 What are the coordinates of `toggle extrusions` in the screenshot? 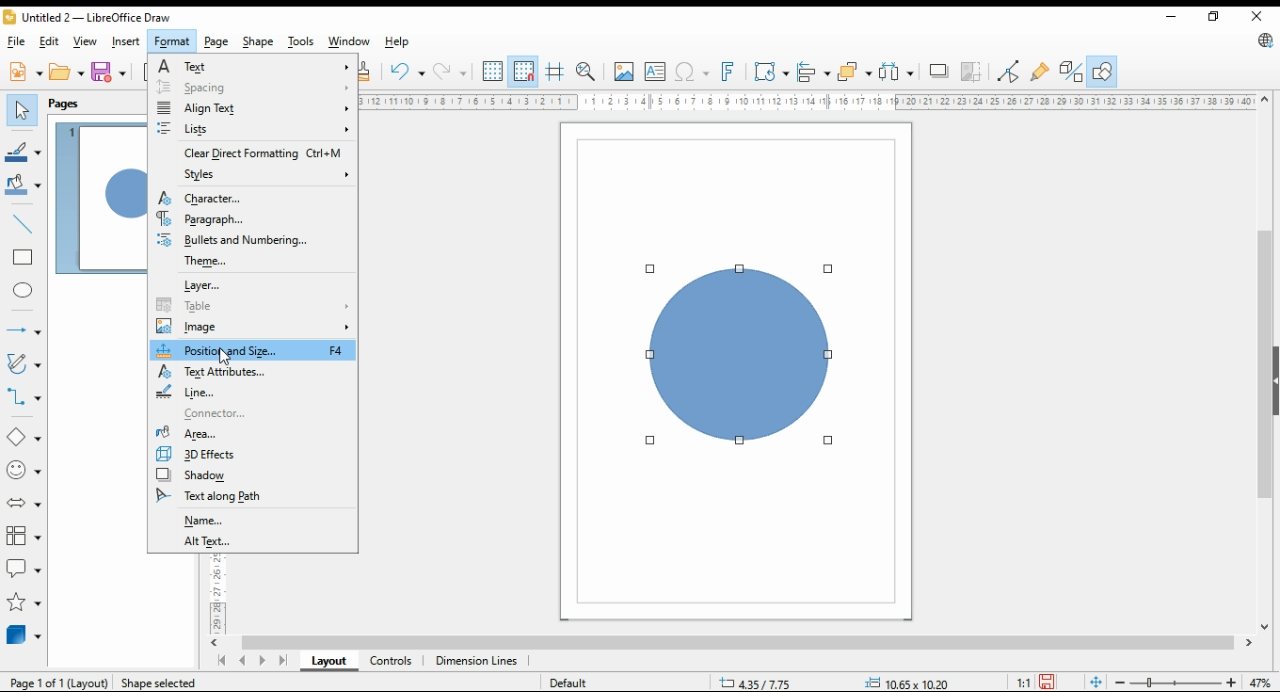 It's located at (1071, 70).